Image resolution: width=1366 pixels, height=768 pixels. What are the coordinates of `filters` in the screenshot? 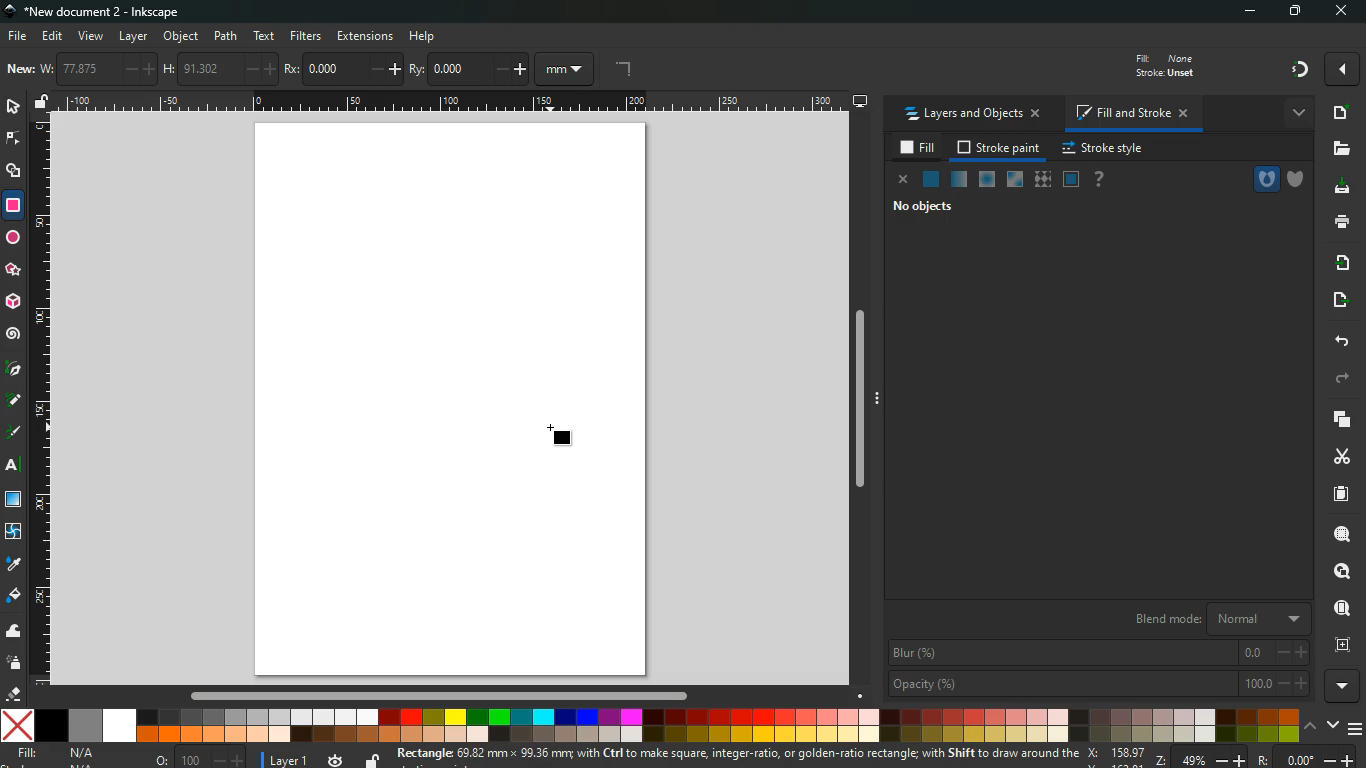 It's located at (308, 36).